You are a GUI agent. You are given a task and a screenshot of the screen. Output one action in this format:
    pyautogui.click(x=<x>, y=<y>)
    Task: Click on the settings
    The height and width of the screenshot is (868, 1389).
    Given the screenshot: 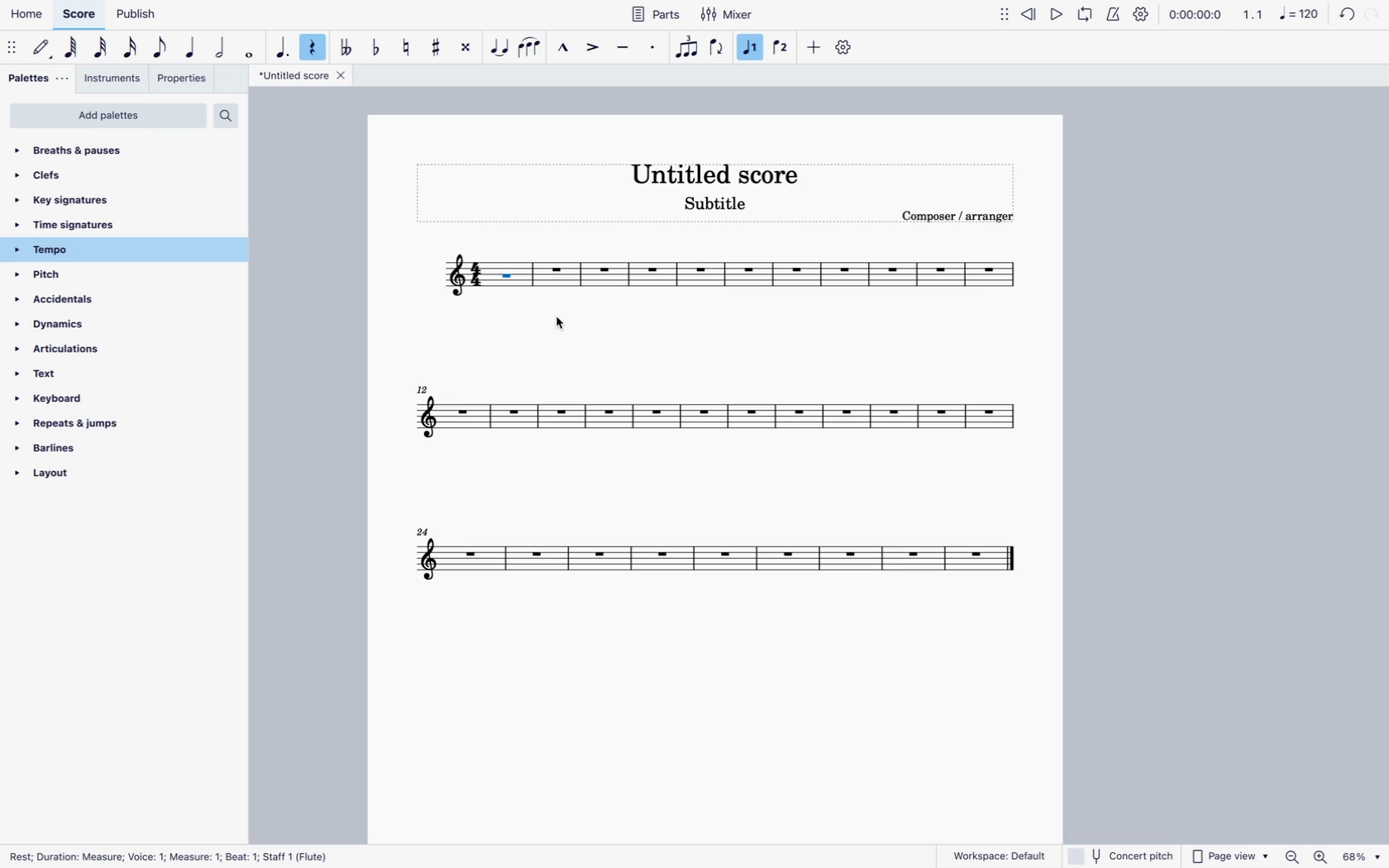 What is the action you would take?
    pyautogui.click(x=1144, y=13)
    